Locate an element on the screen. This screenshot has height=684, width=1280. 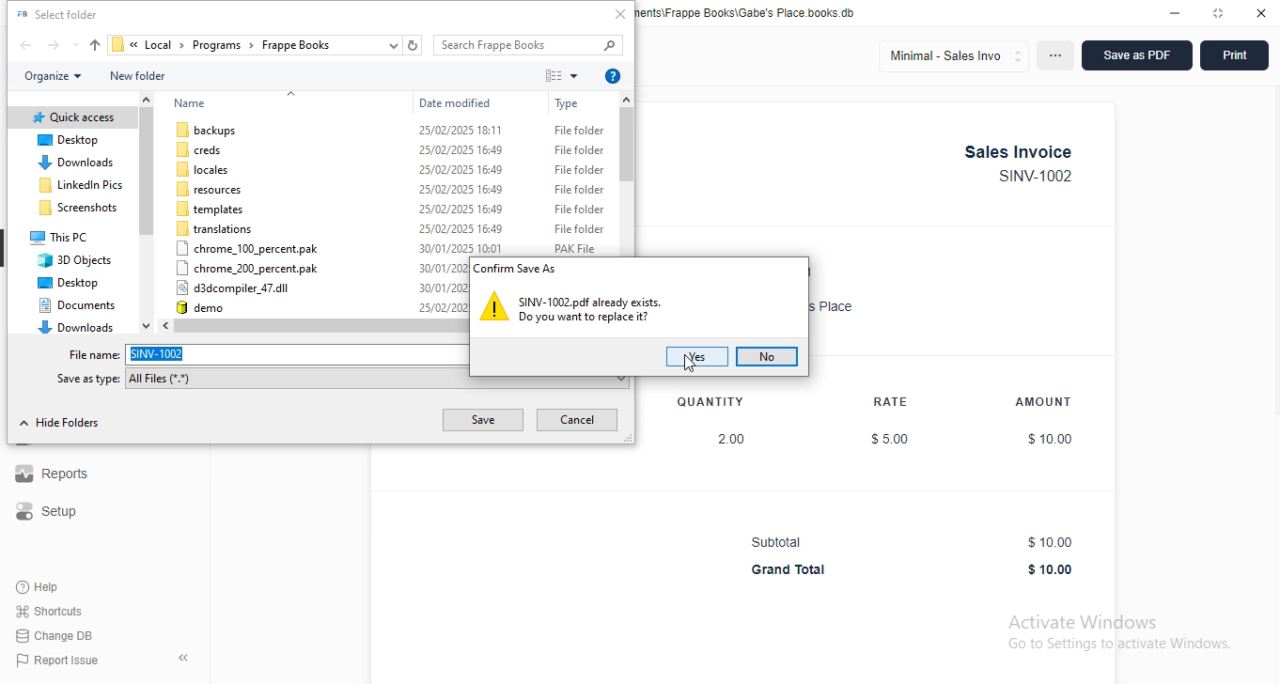
scroll left is located at coordinates (167, 326).